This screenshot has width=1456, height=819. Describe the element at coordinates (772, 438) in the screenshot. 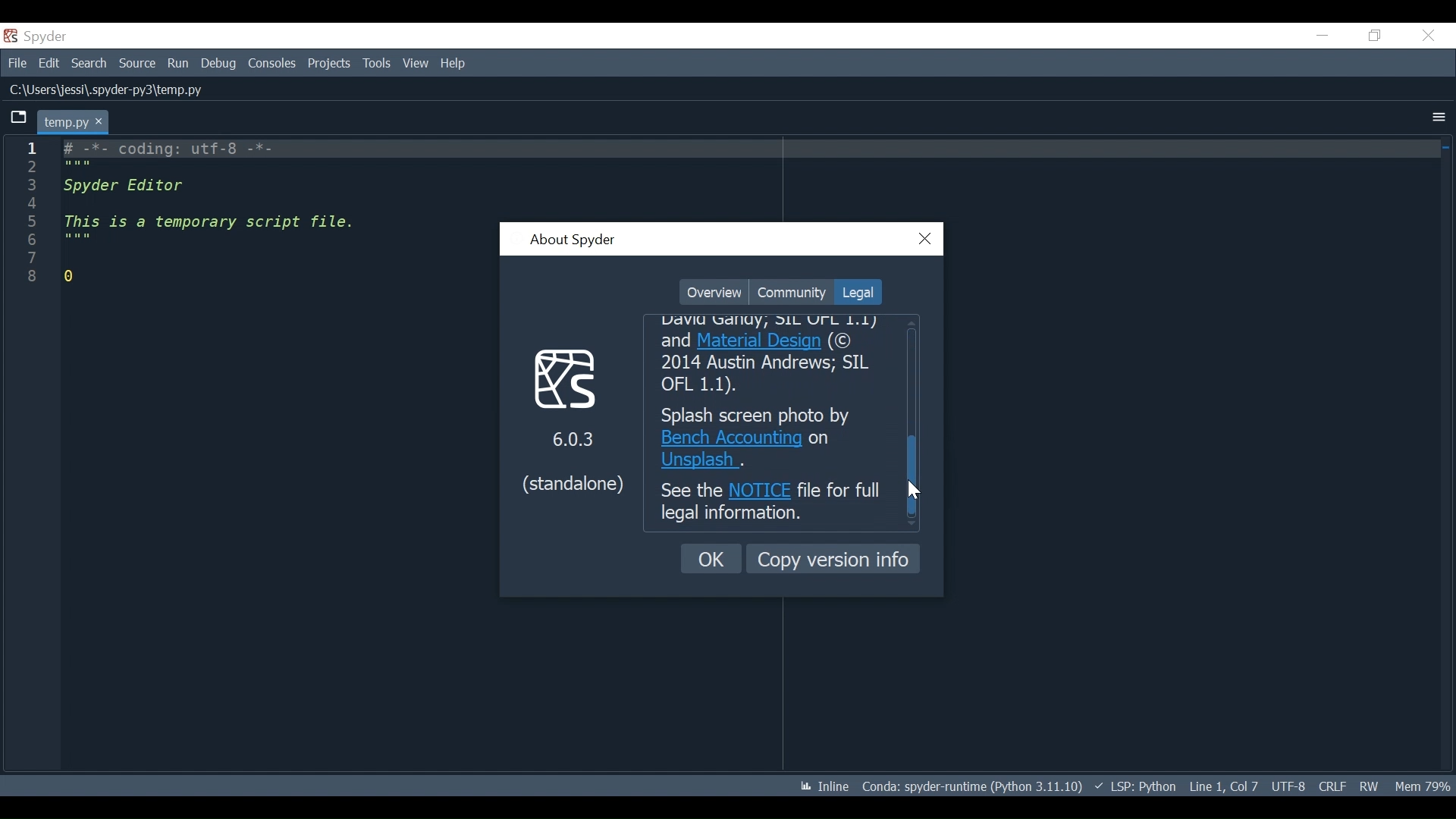

I see `Splash screen photo by Bench Accounting on Unsplash` at that location.